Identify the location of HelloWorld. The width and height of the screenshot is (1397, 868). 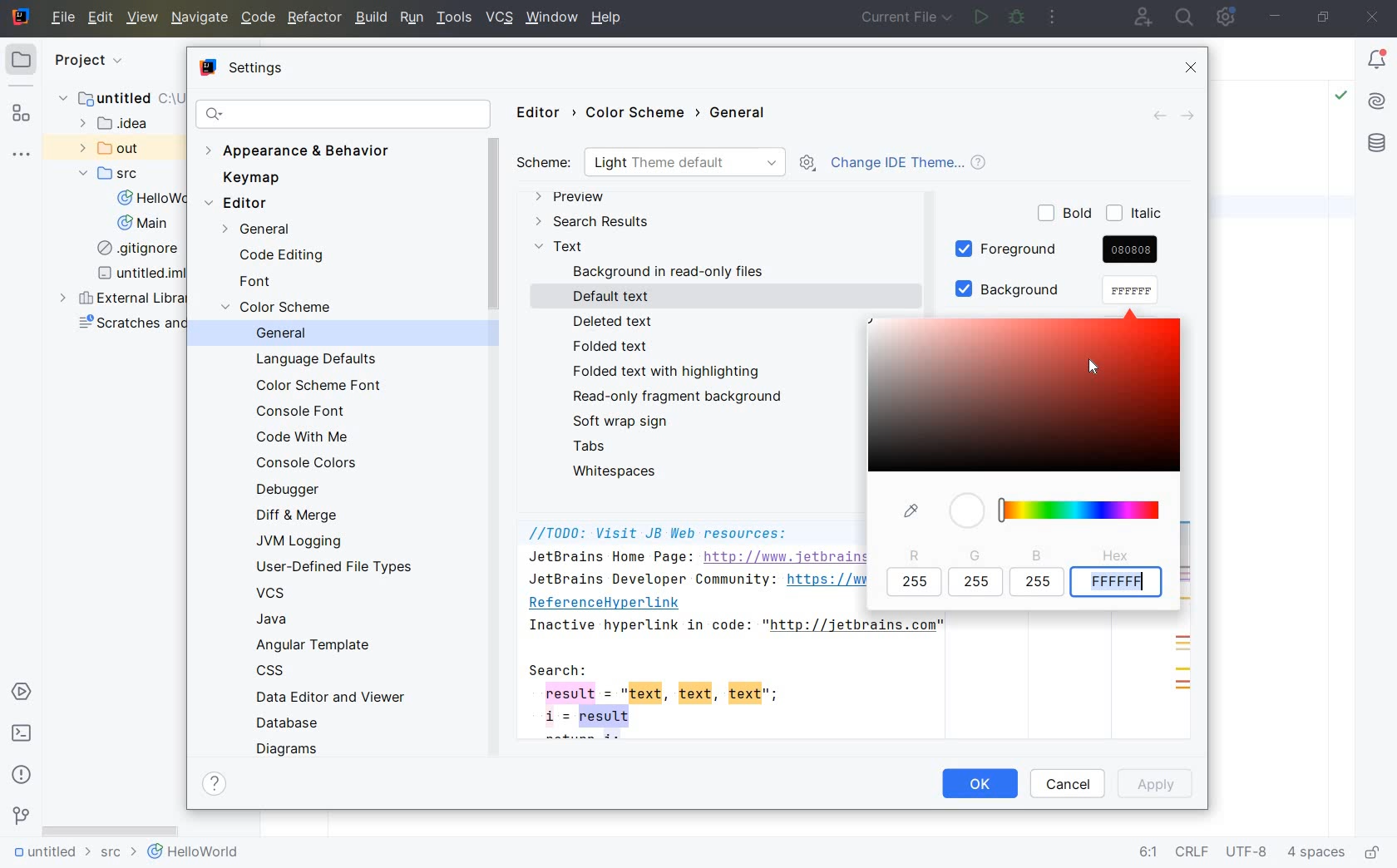
(149, 200).